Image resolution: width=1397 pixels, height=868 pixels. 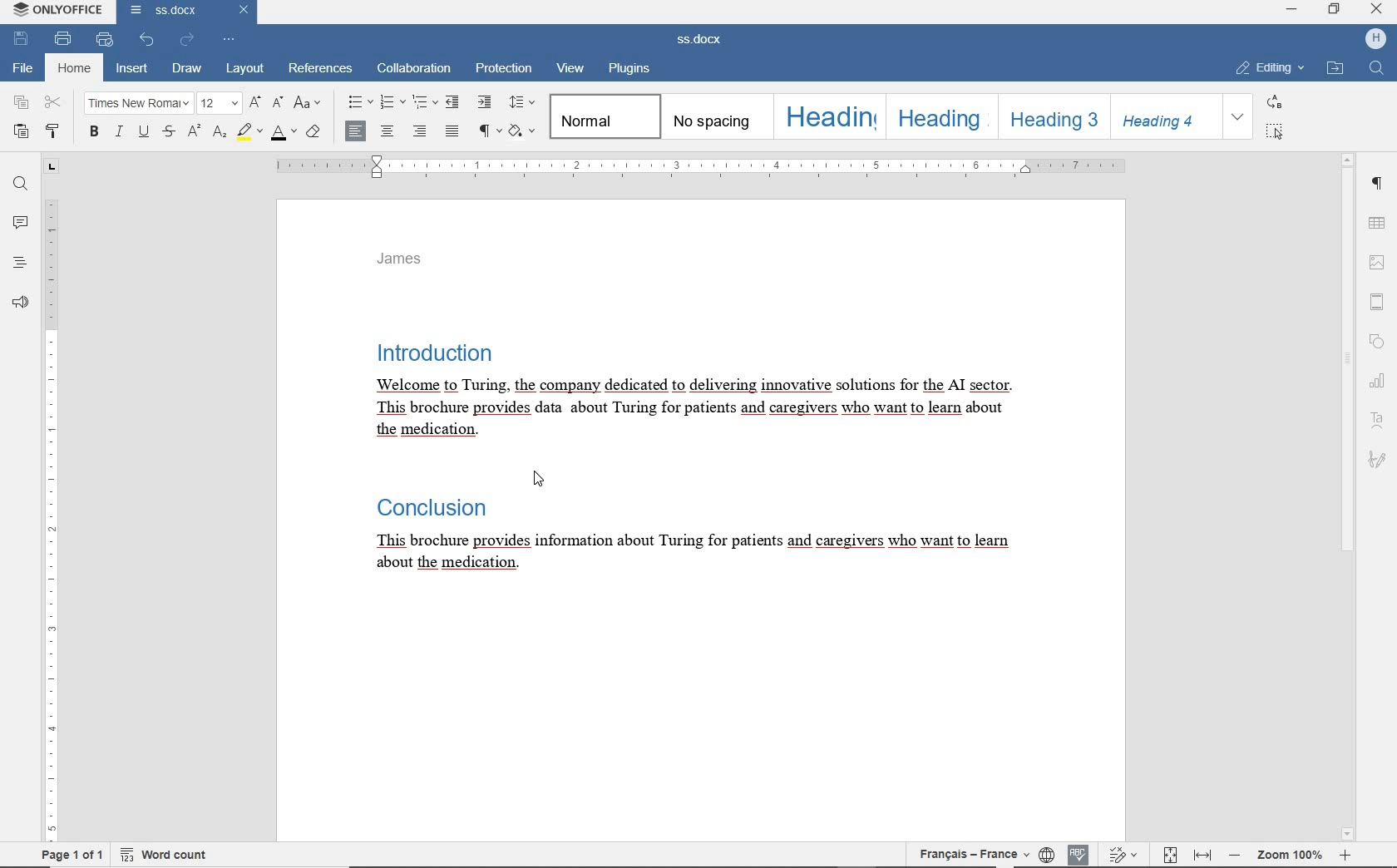 What do you see at coordinates (249, 133) in the screenshot?
I see `HIGHLIGHT COLOR` at bounding box center [249, 133].